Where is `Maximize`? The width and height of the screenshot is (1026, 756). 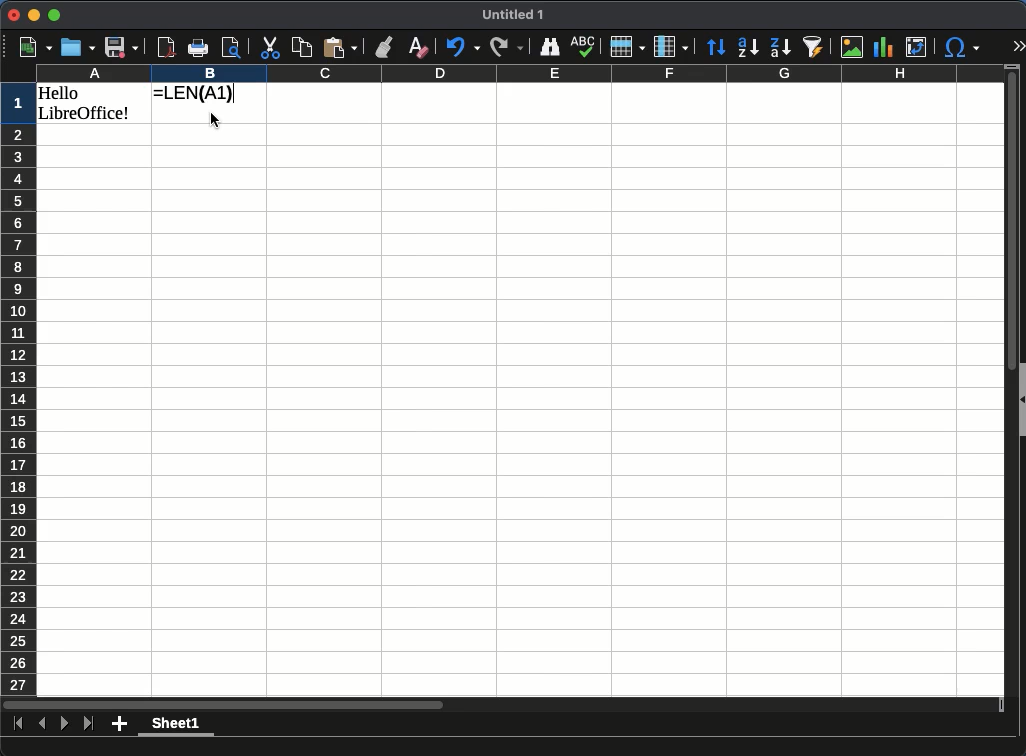 Maximize is located at coordinates (54, 16).